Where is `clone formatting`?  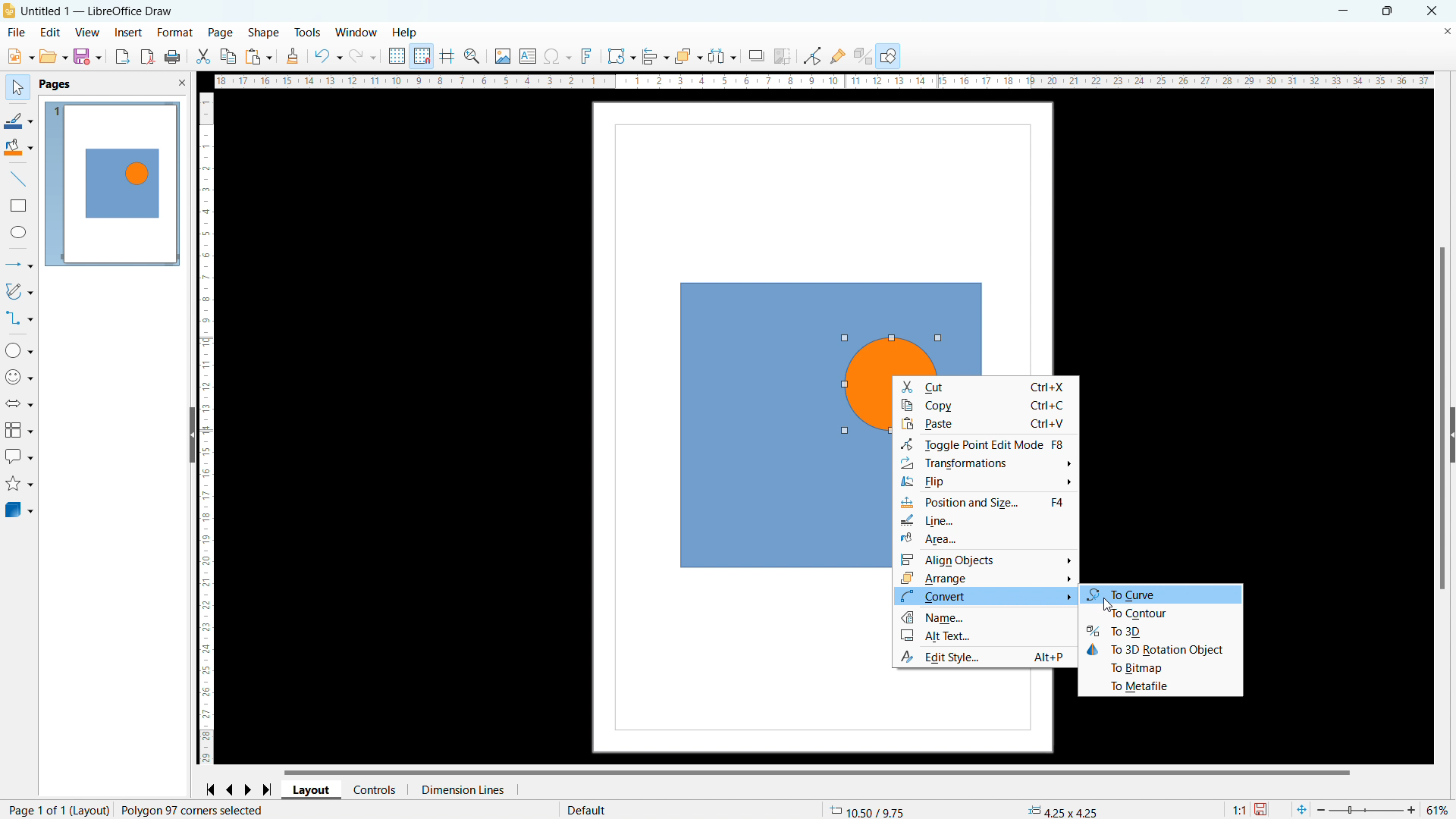
clone formatting is located at coordinates (293, 55).